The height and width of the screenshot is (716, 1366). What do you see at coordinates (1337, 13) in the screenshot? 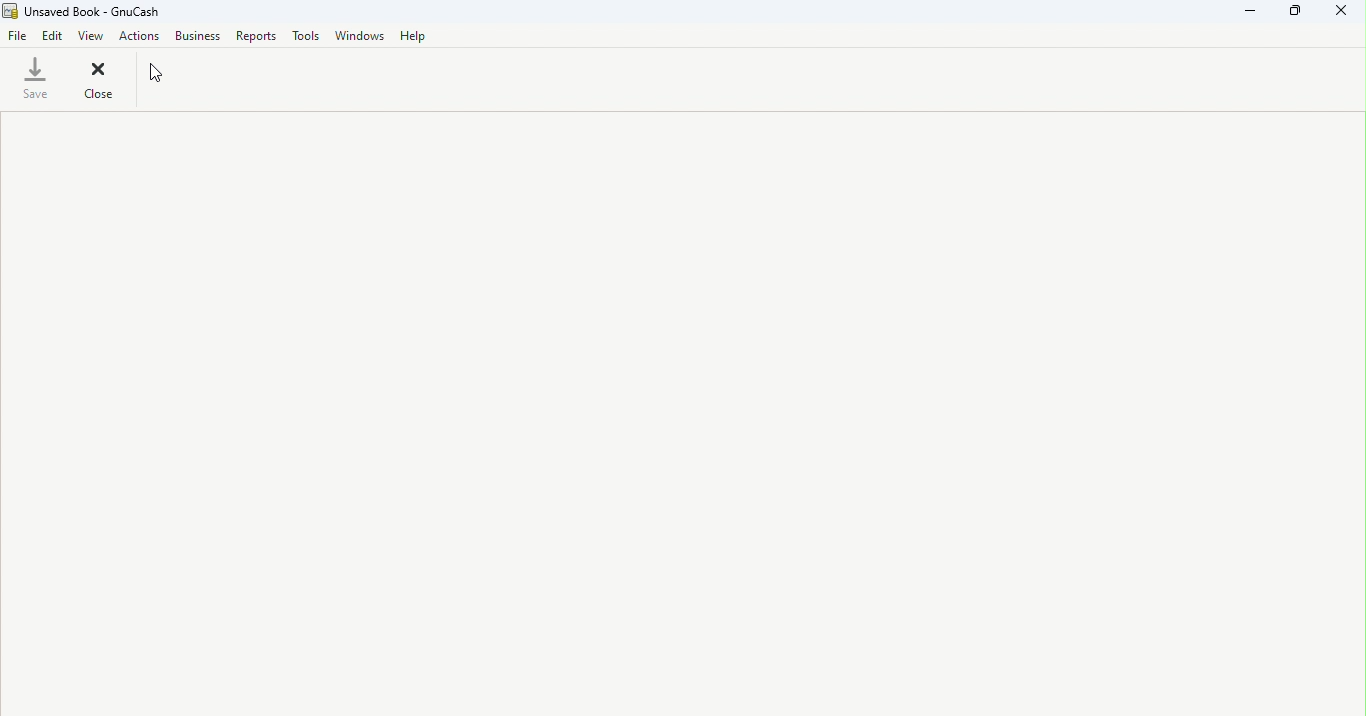
I see `Close` at bounding box center [1337, 13].